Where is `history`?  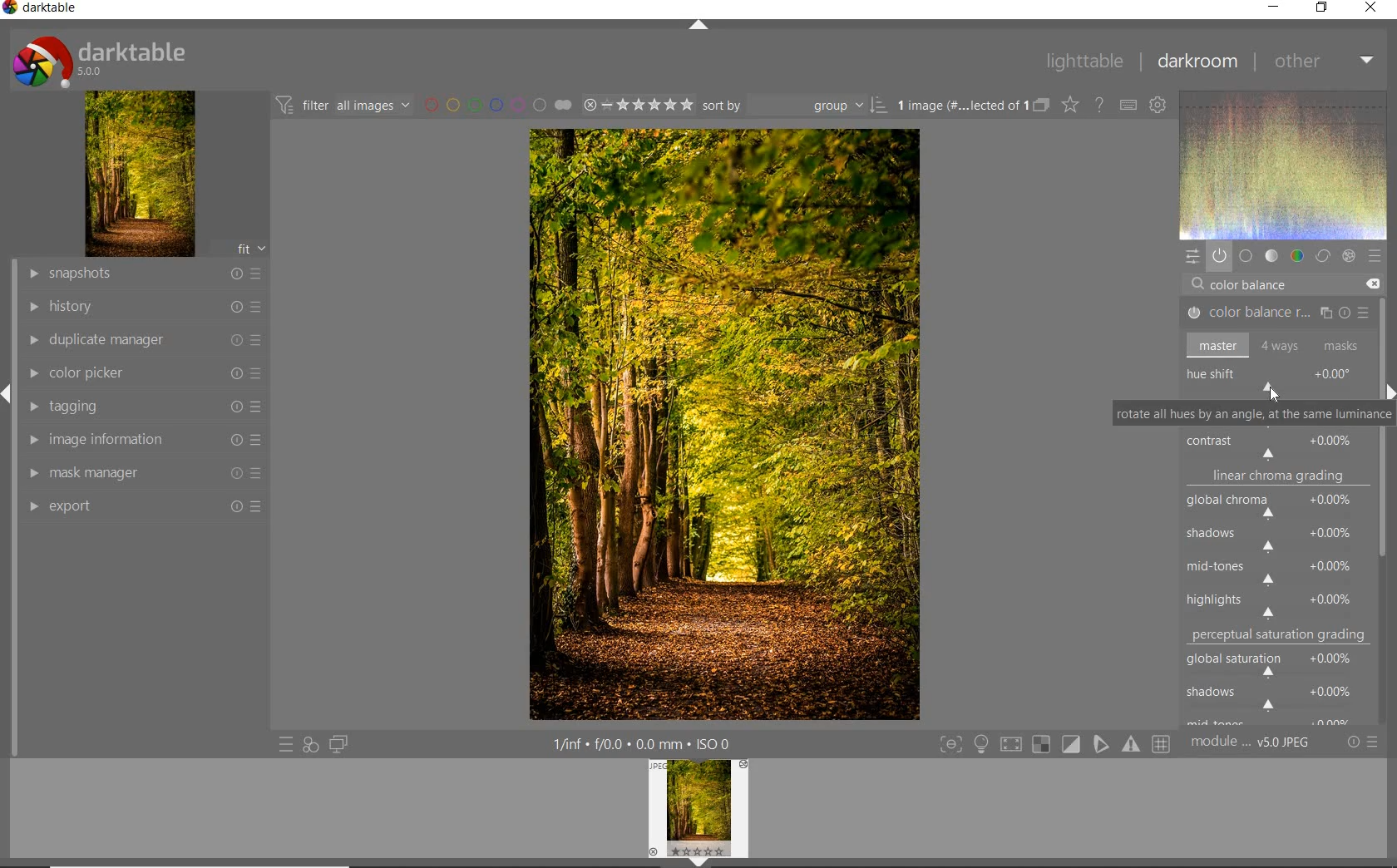
history is located at coordinates (144, 305).